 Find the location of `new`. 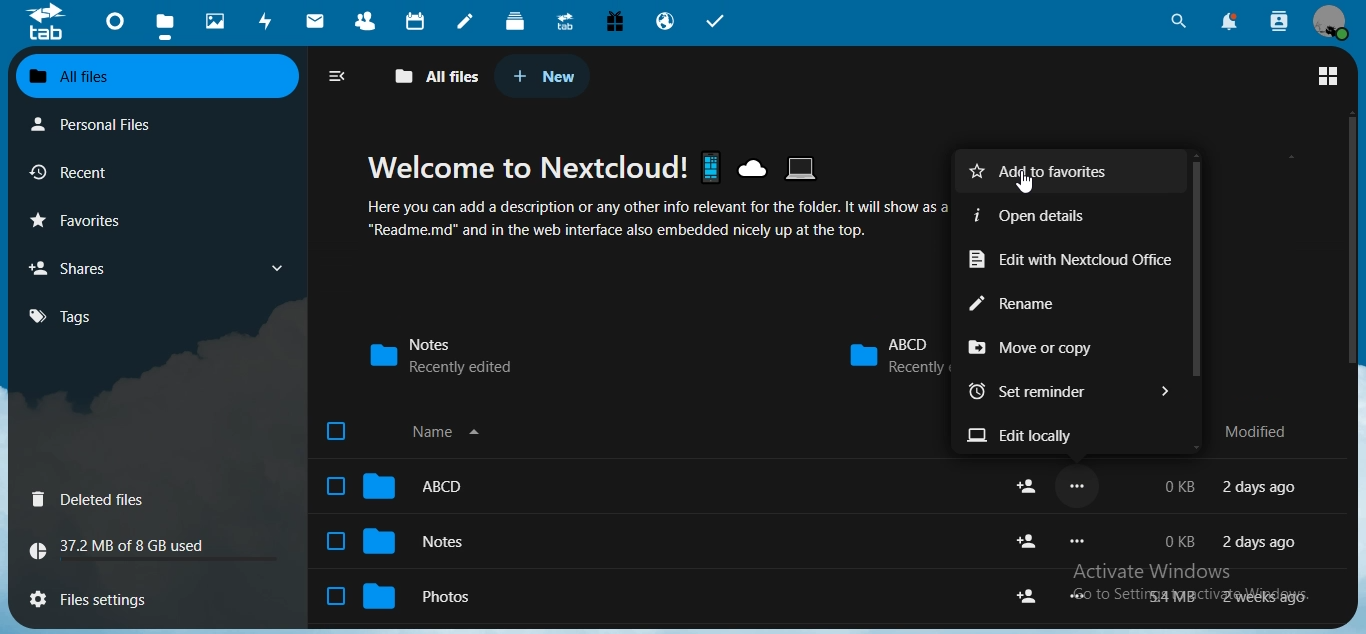

new is located at coordinates (540, 72).